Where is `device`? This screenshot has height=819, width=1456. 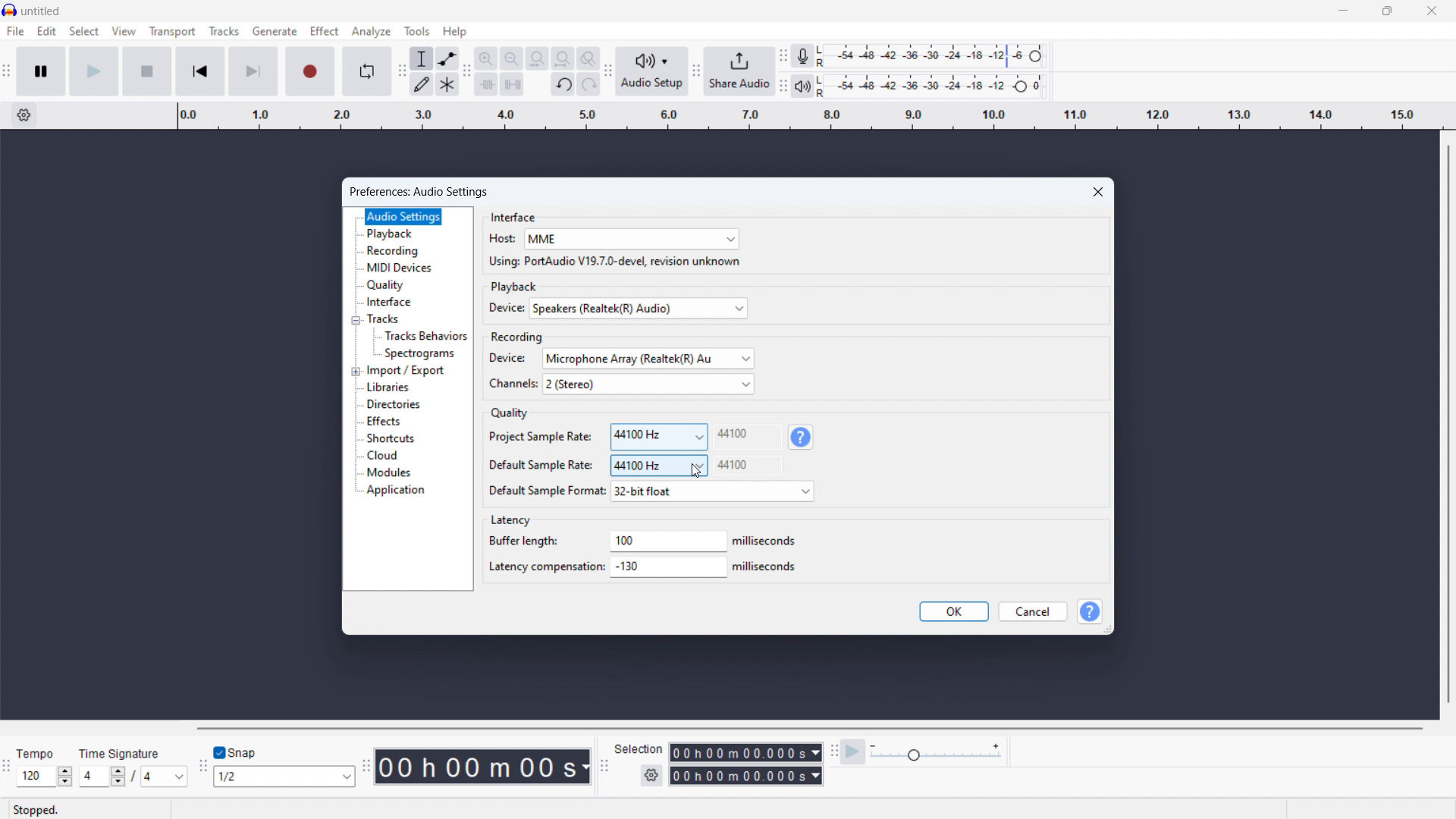 device is located at coordinates (509, 358).